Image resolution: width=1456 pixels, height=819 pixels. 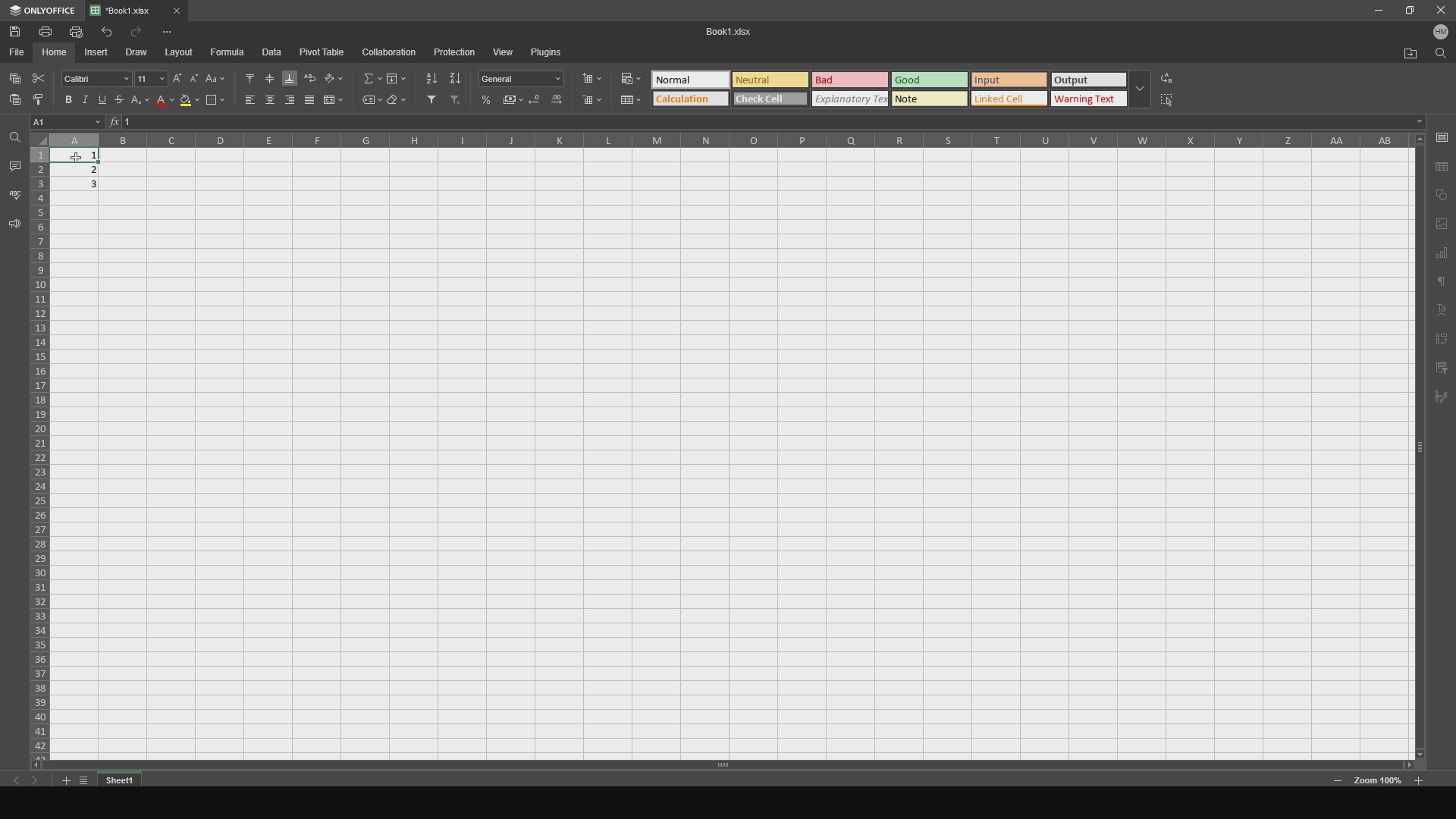 What do you see at coordinates (428, 101) in the screenshot?
I see `filter` at bounding box center [428, 101].